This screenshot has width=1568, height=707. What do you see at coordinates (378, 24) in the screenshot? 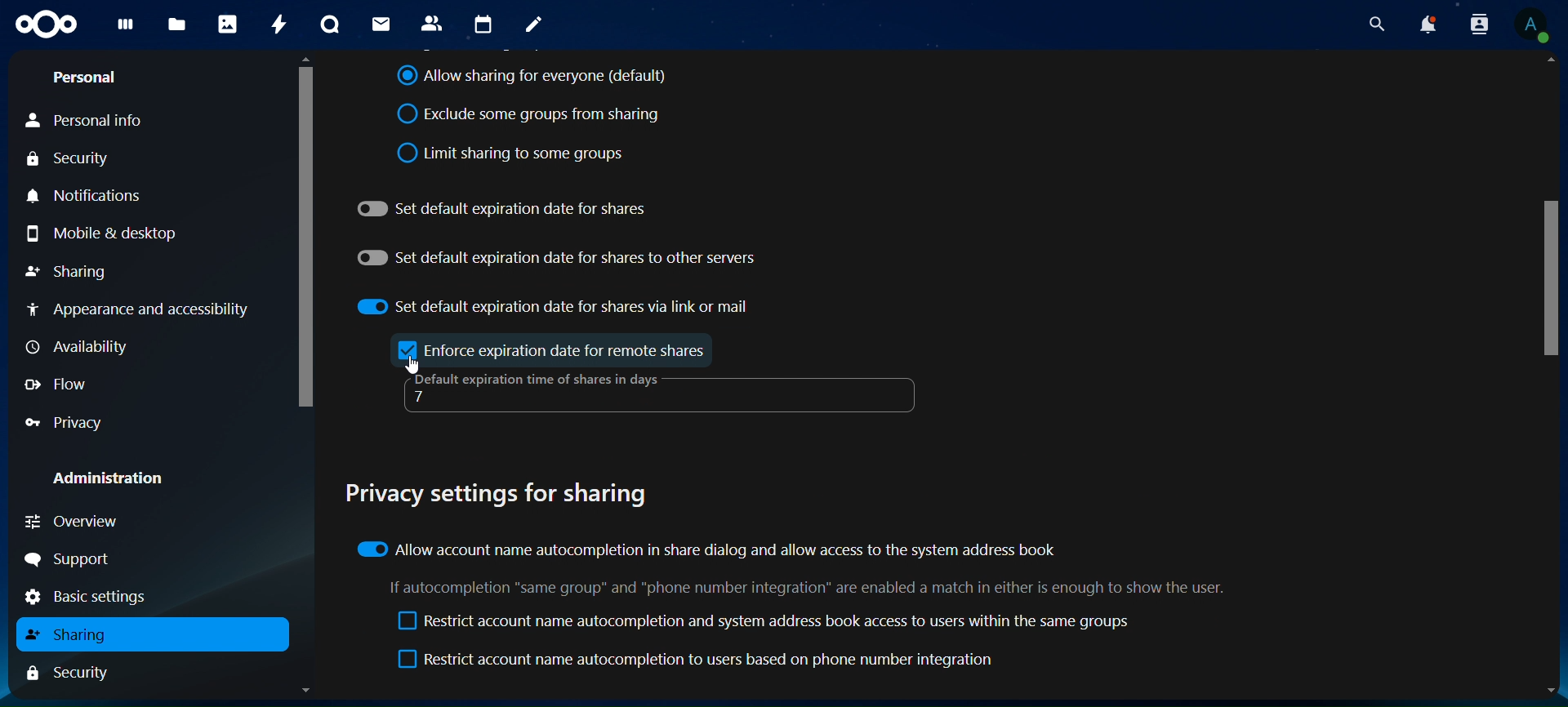
I see `mail` at bounding box center [378, 24].